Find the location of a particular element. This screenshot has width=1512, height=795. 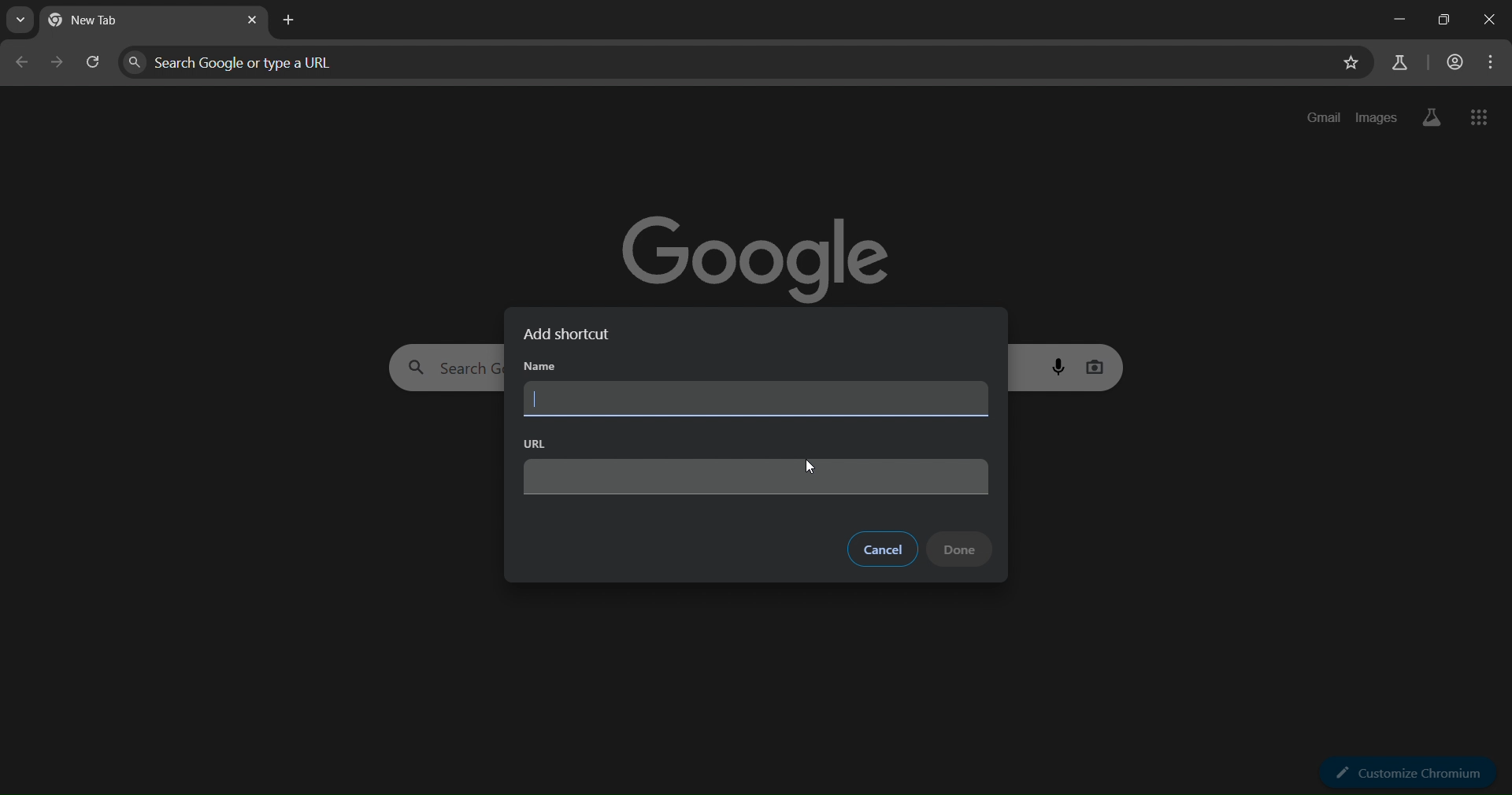

cancel is located at coordinates (882, 548).